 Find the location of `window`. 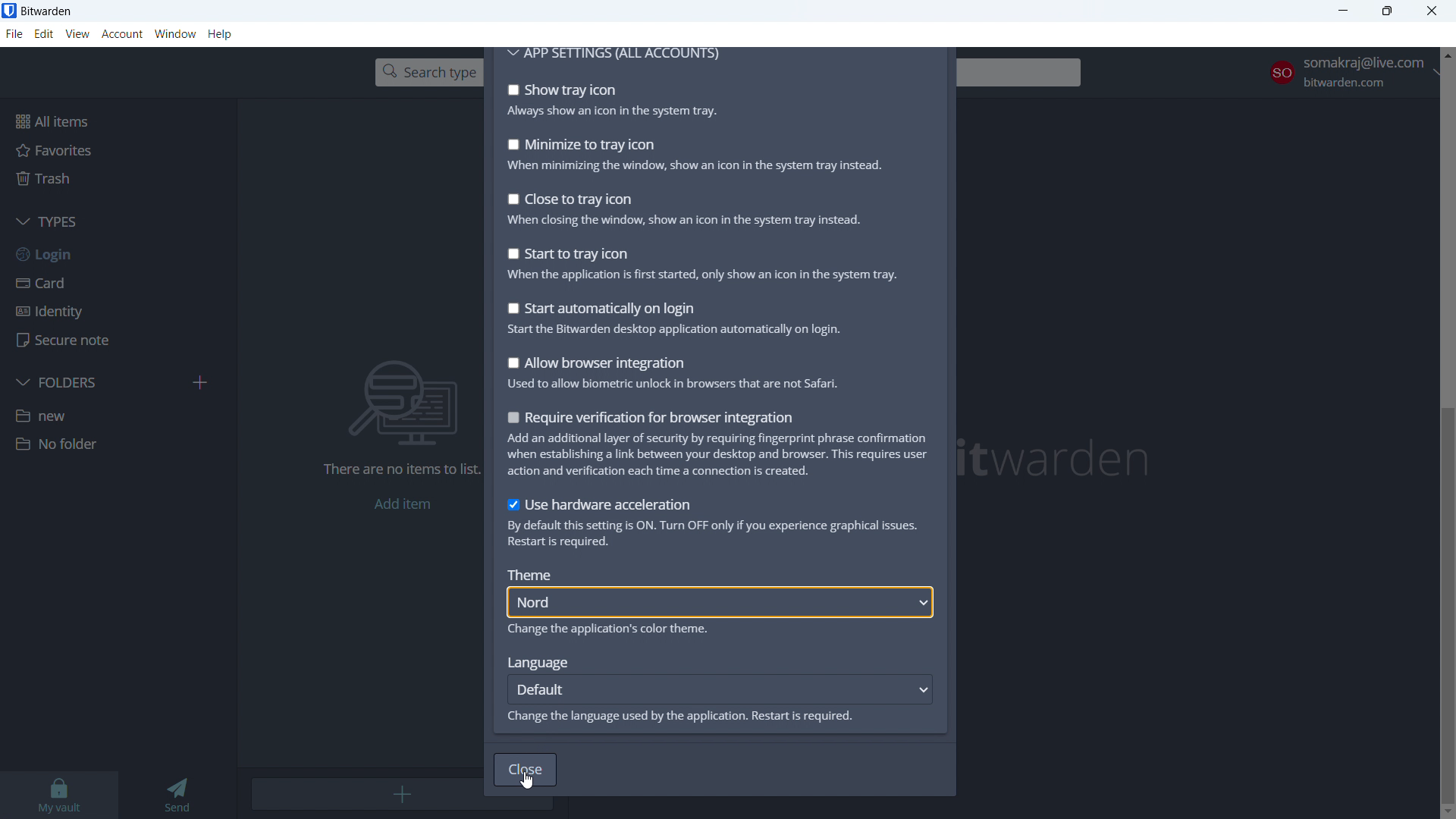

window is located at coordinates (176, 34).